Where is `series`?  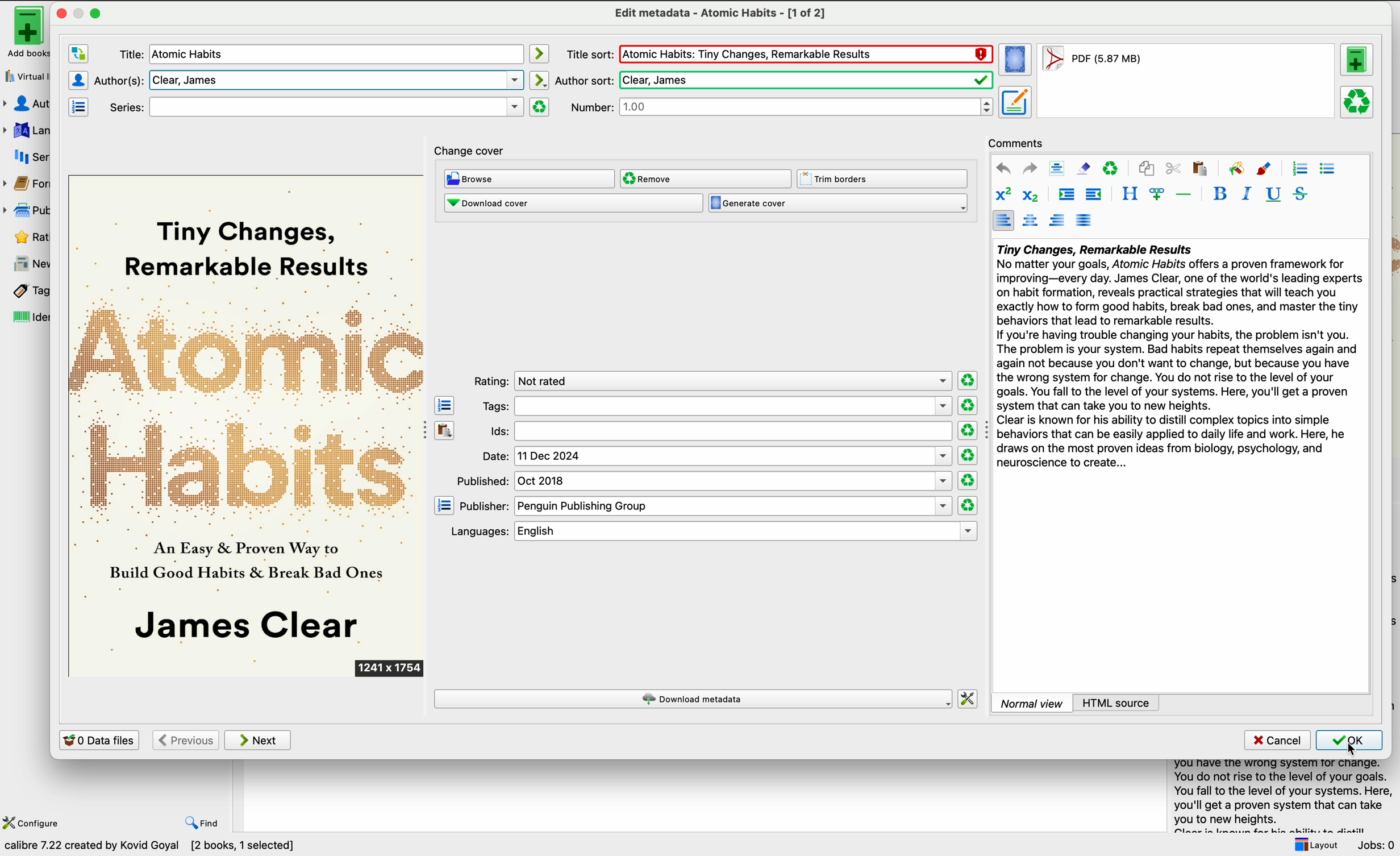
series is located at coordinates (27, 157).